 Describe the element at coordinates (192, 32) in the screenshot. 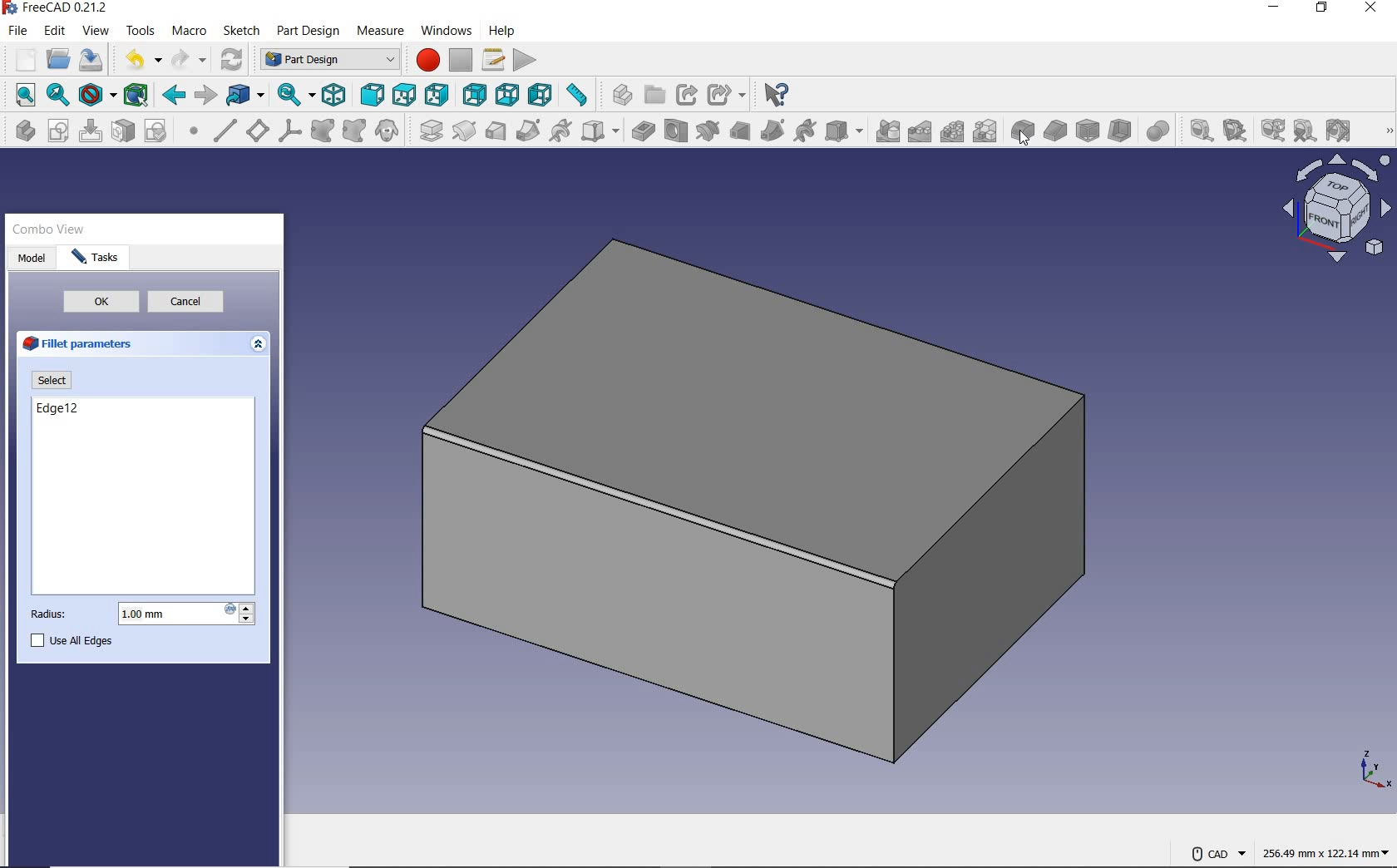

I see `macro` at that location.